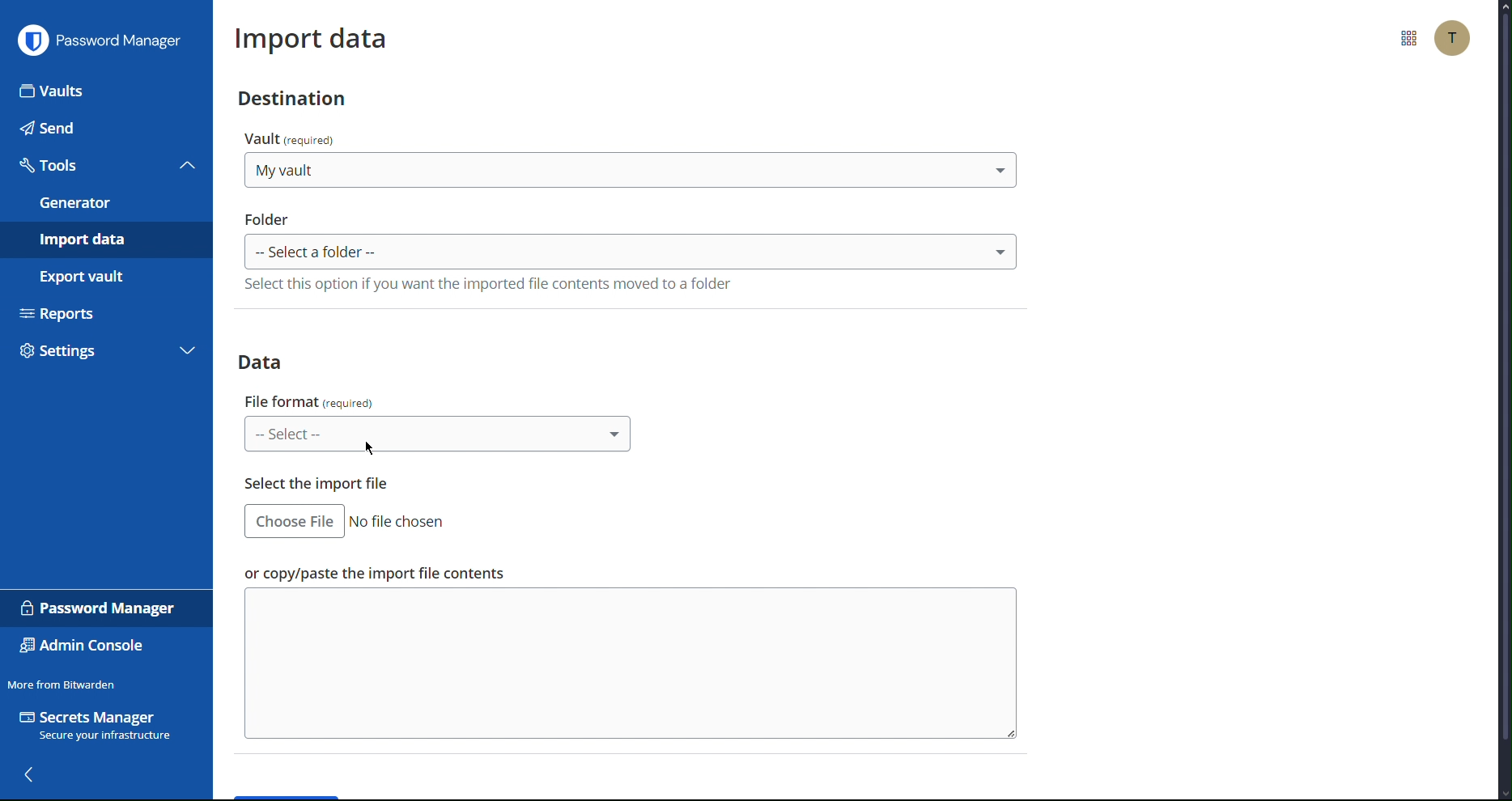 The width and height of the screenshot is (1512, 801). I want to click on Select the import file, so click(318, 484).